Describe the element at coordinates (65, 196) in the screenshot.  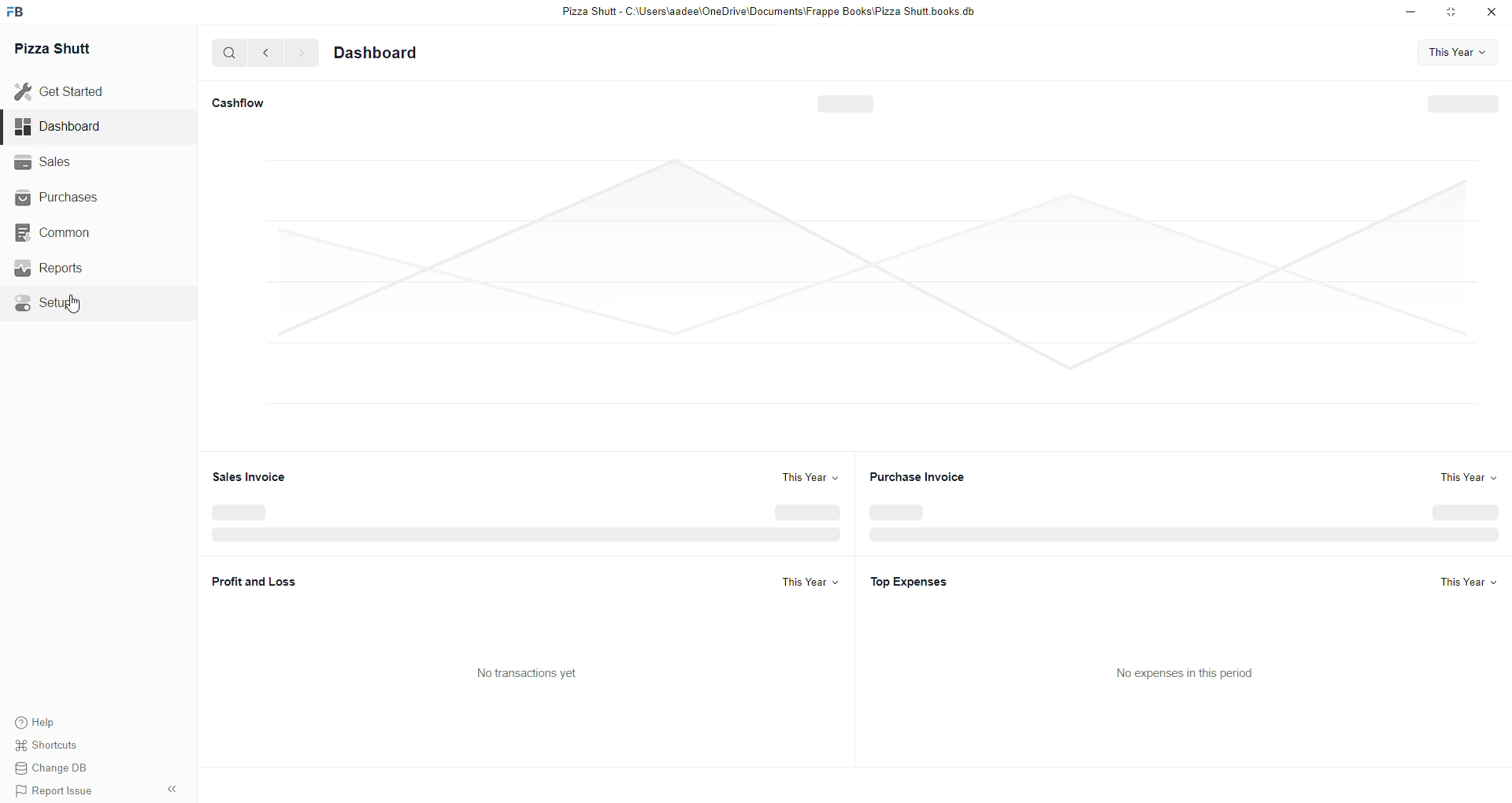
I see `Purchases ` at that location.